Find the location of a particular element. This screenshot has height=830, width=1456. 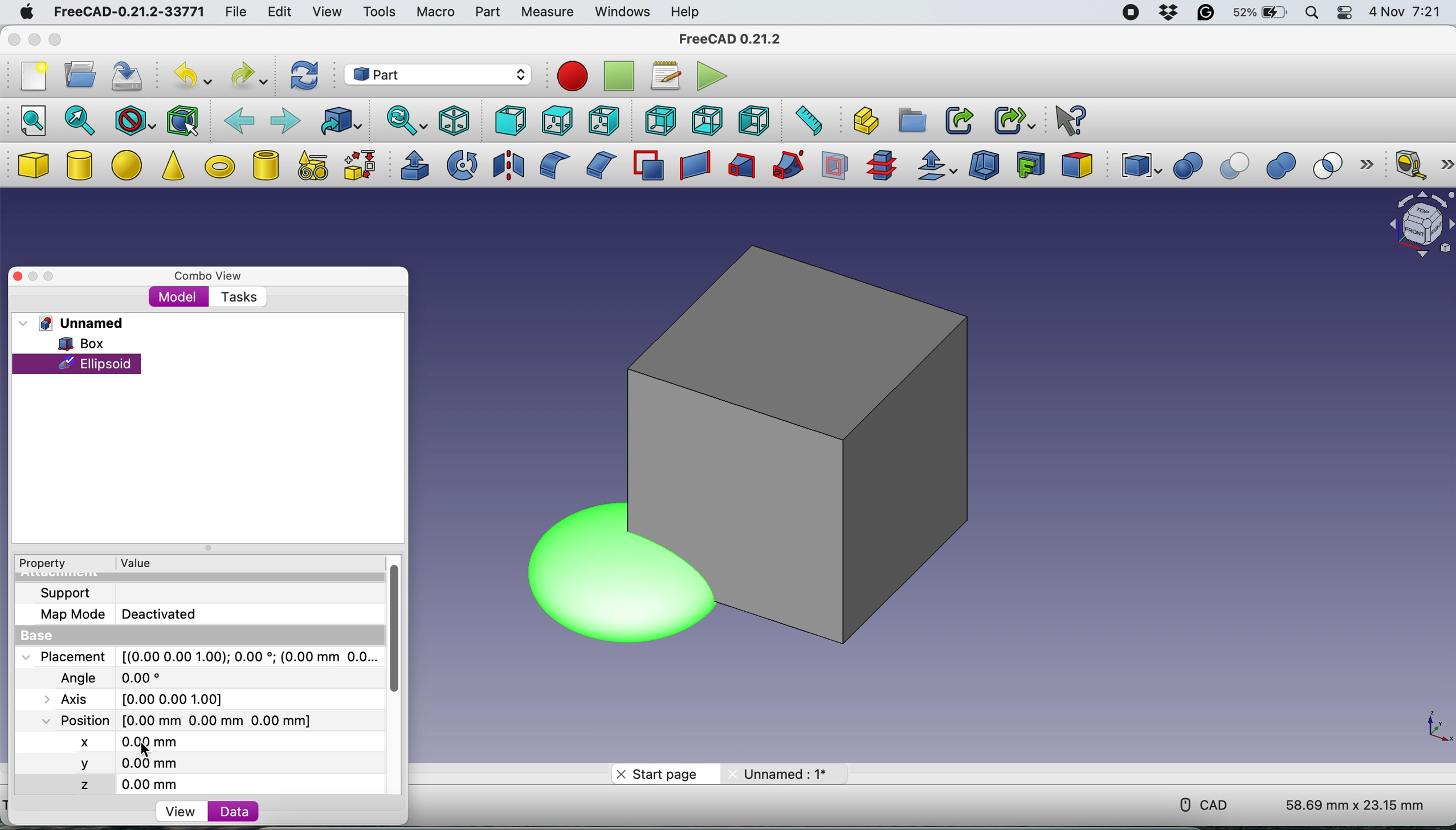

close is located at coordinates (12, 40).